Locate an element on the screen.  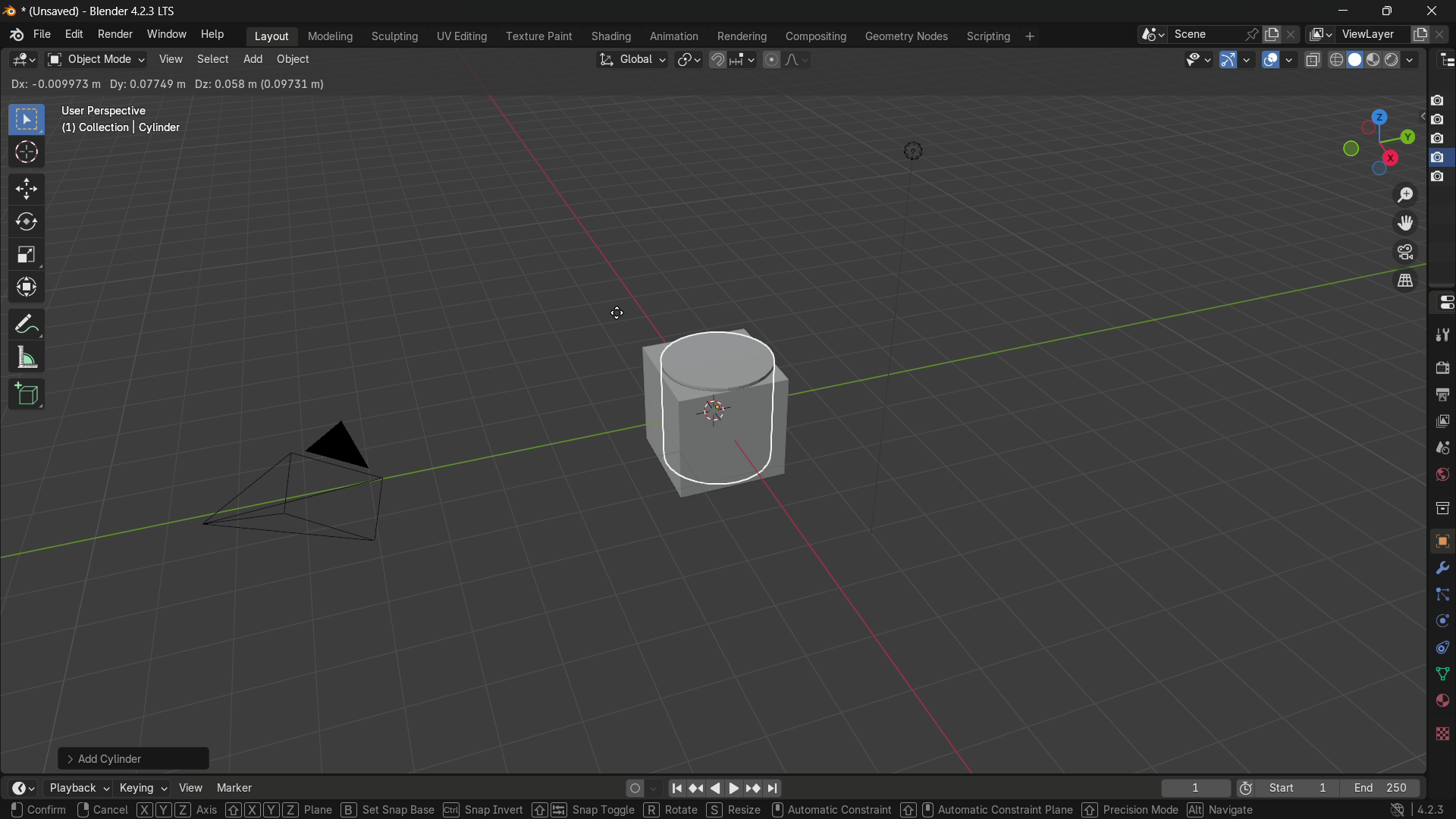
icon is located at coordinates (1442, 648).